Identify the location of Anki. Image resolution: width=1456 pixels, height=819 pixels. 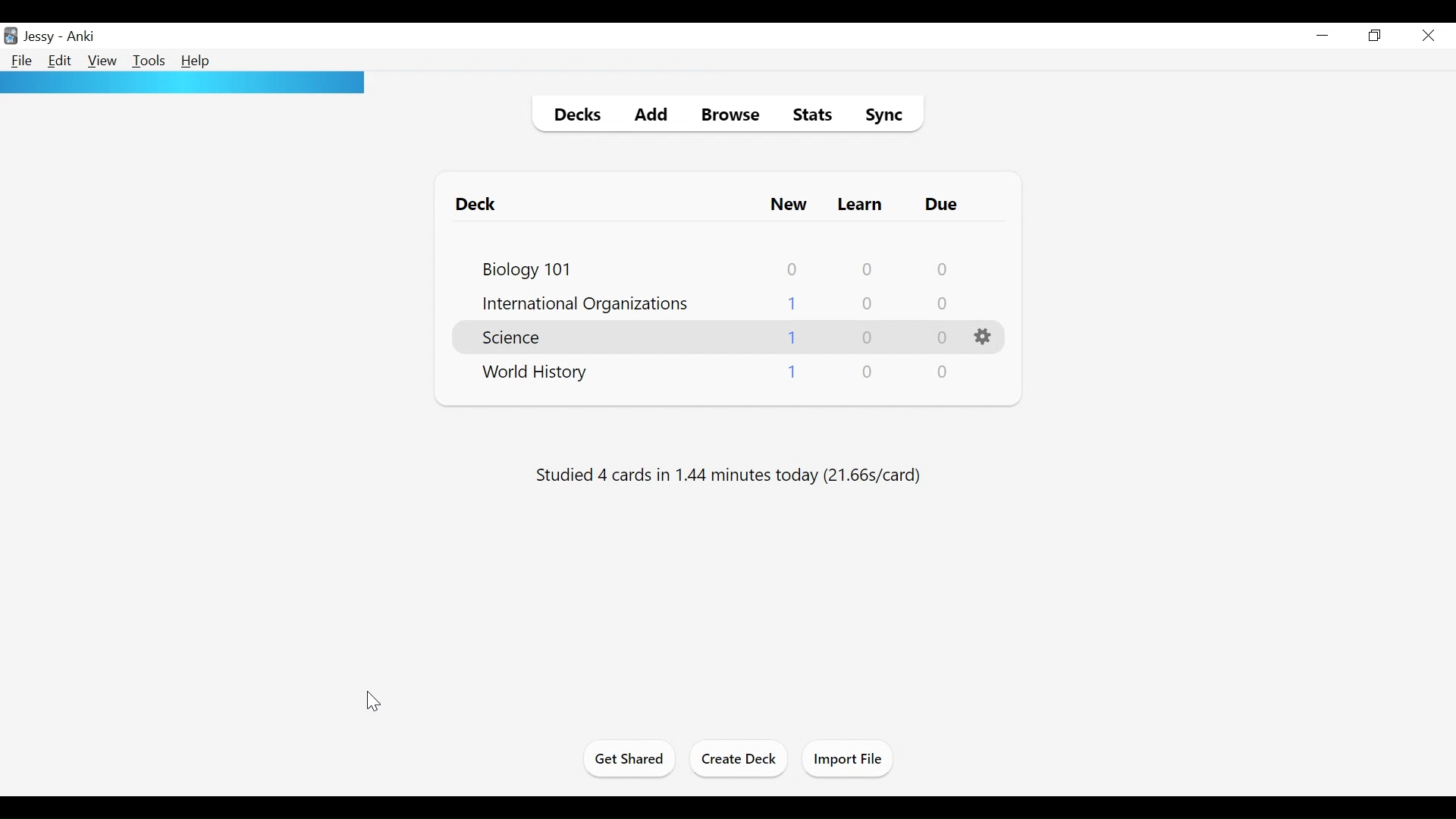
(83, 37).